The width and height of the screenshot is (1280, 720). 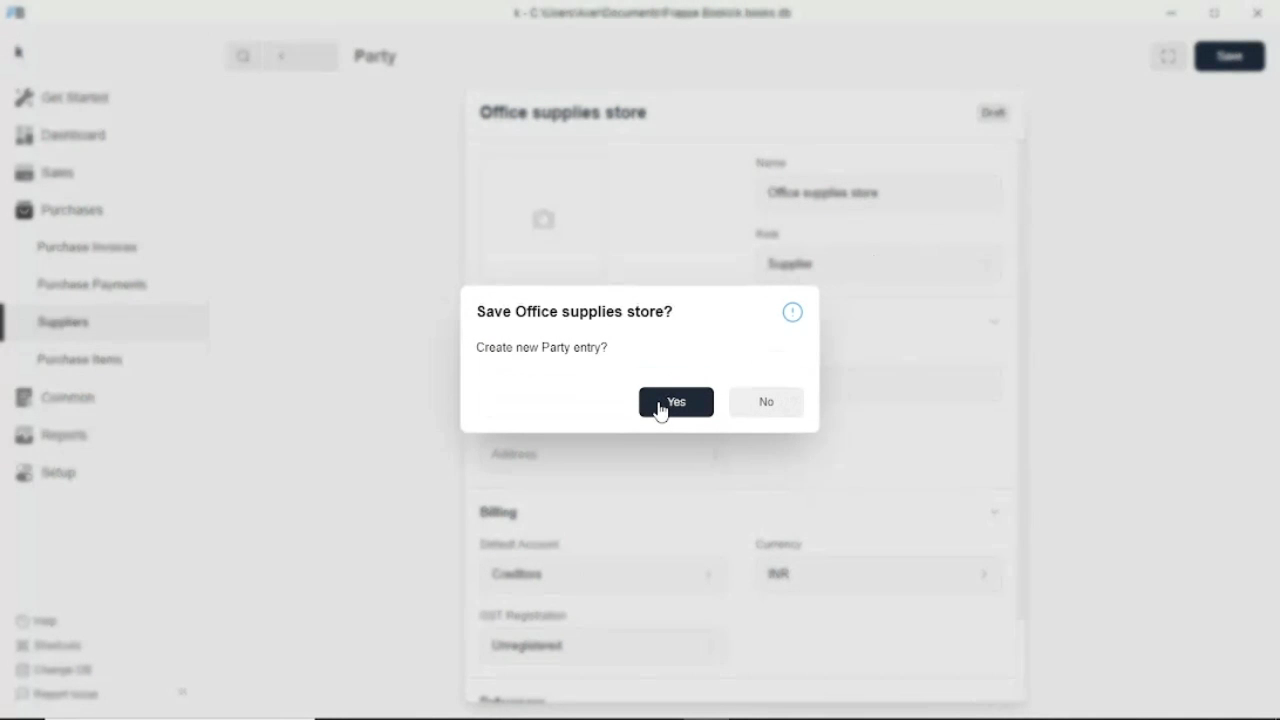 What do you see at coordinates (1171, 13) in the screenshot?
I see `Minimize` at bounding box center [1171, 13].